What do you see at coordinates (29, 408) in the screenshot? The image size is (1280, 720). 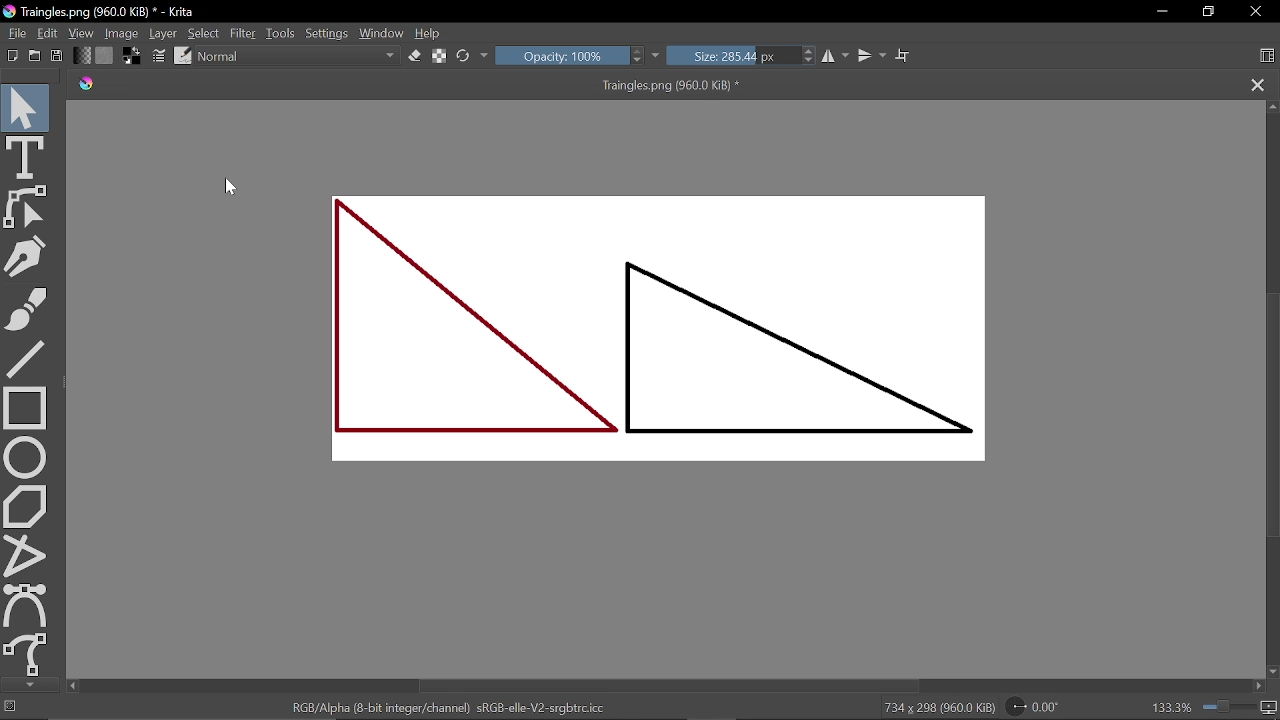 I see `Rectangle tool` at bounding box center [29, 408].